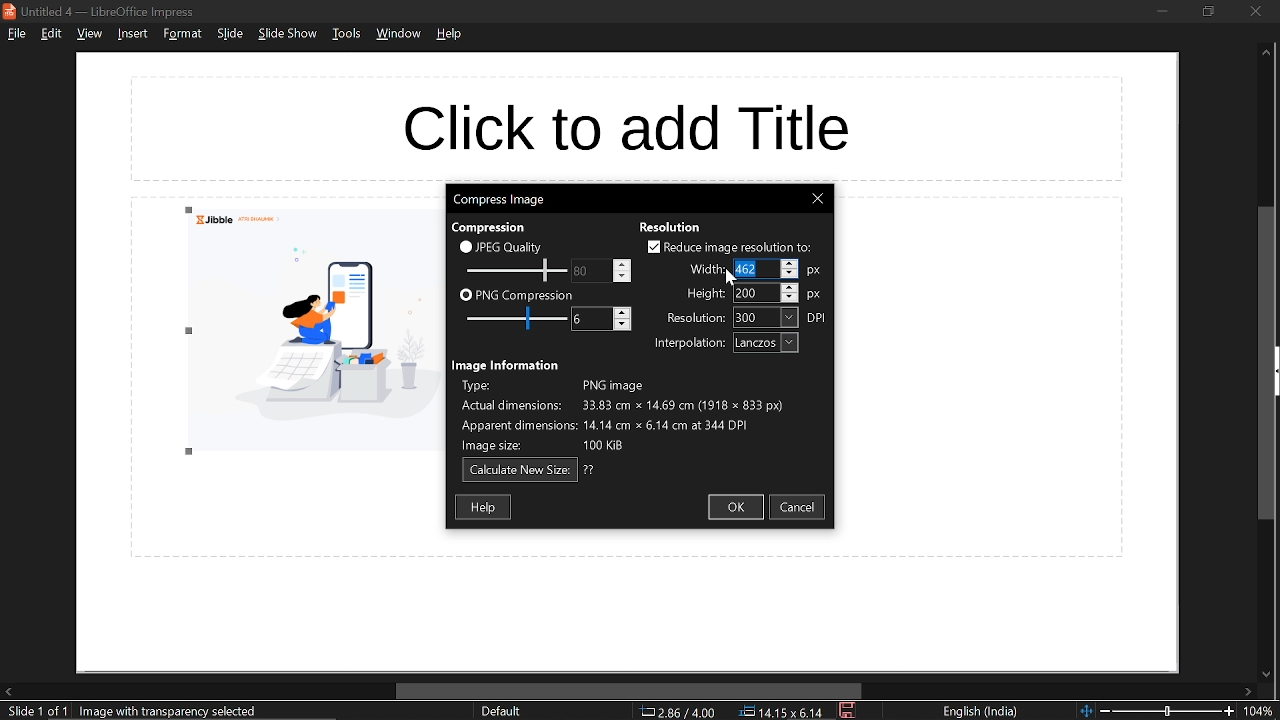 The width and height of the screenshot is (1280, 720). What do you see at coordinates (174, 711) in the screenshot?
I see `image with transparency selected` at bounding box center [174, 711].